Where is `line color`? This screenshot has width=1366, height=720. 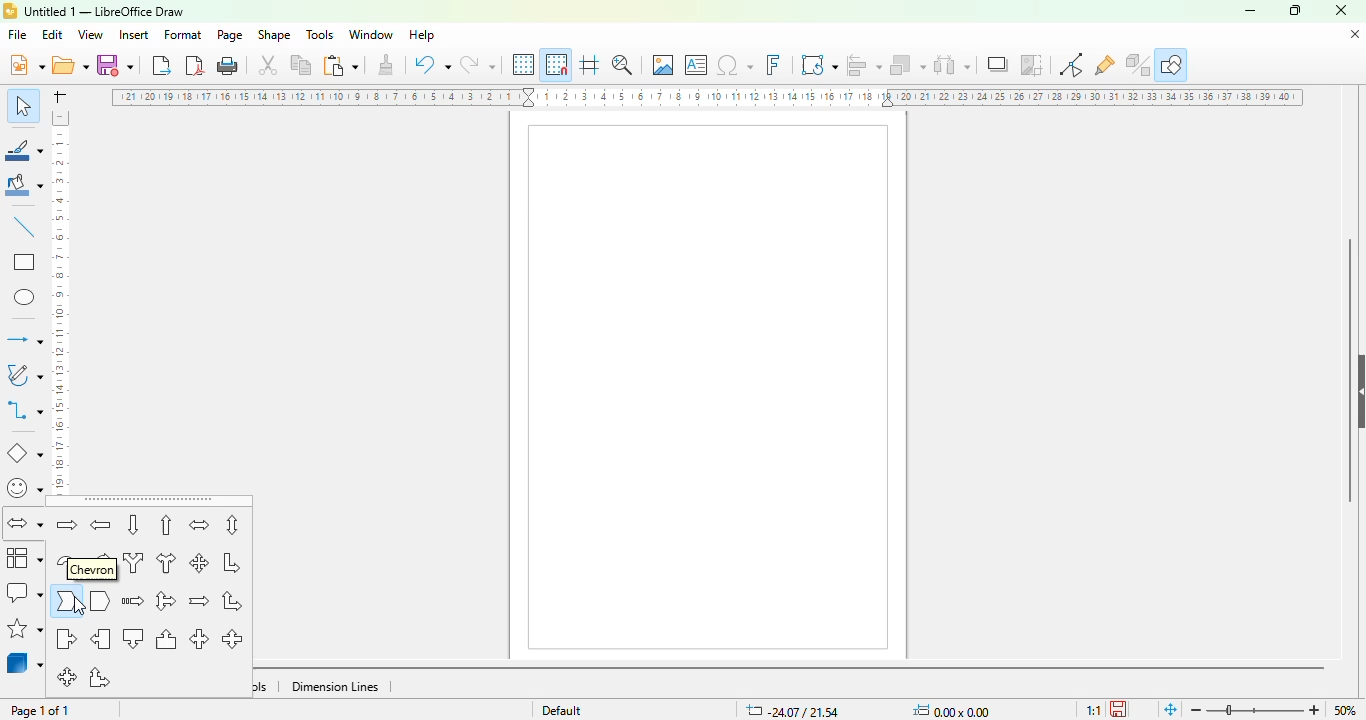
line color is located at coordinates (24, 149).